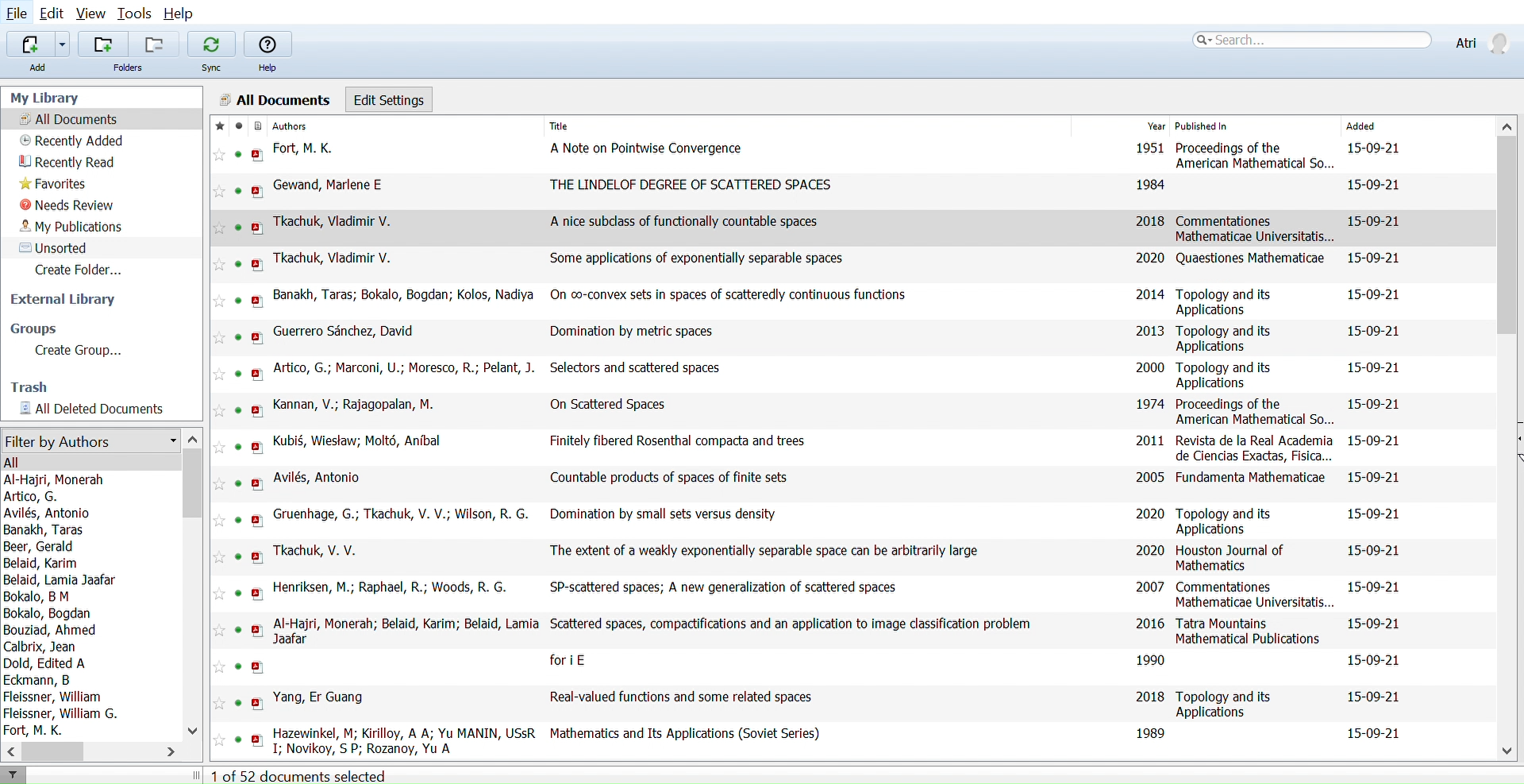 This screenshot has width=1524, height=784. Describe the element at coordinates (56, 184) in the screenshot. I see `Favorites` at that location.